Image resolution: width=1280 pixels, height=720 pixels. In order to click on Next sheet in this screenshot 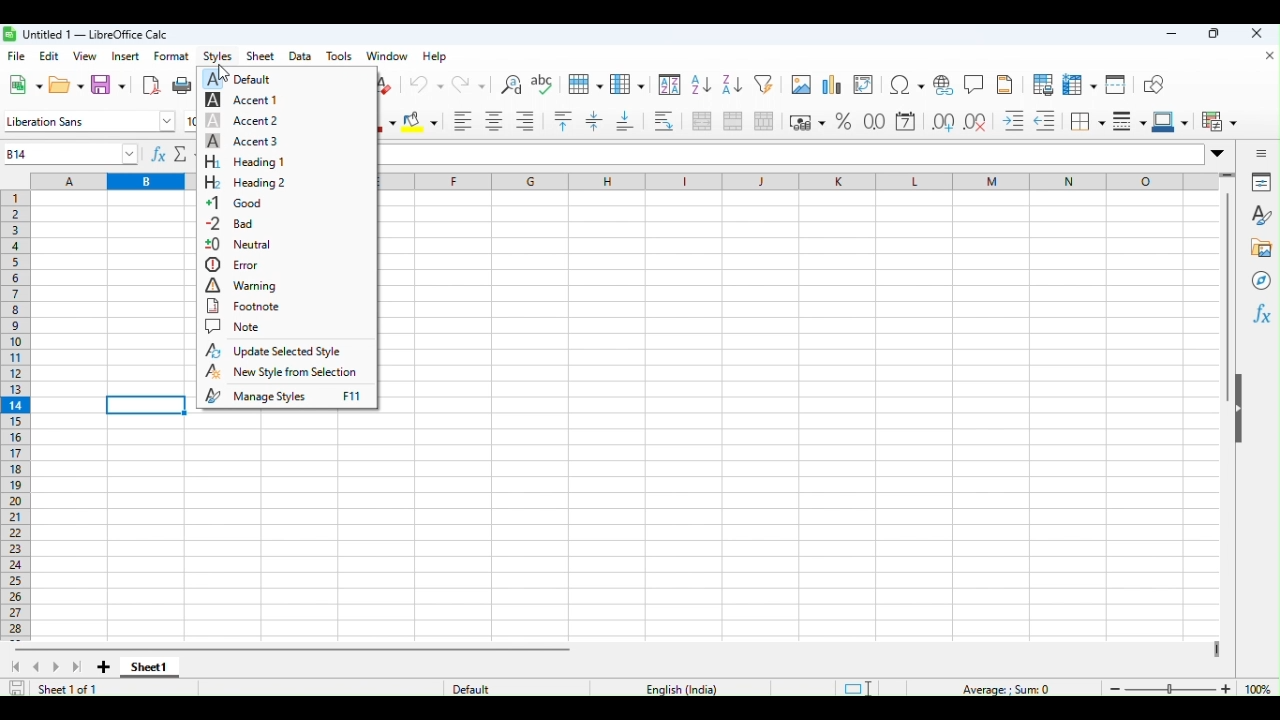, I will do `click(71, 667)`.